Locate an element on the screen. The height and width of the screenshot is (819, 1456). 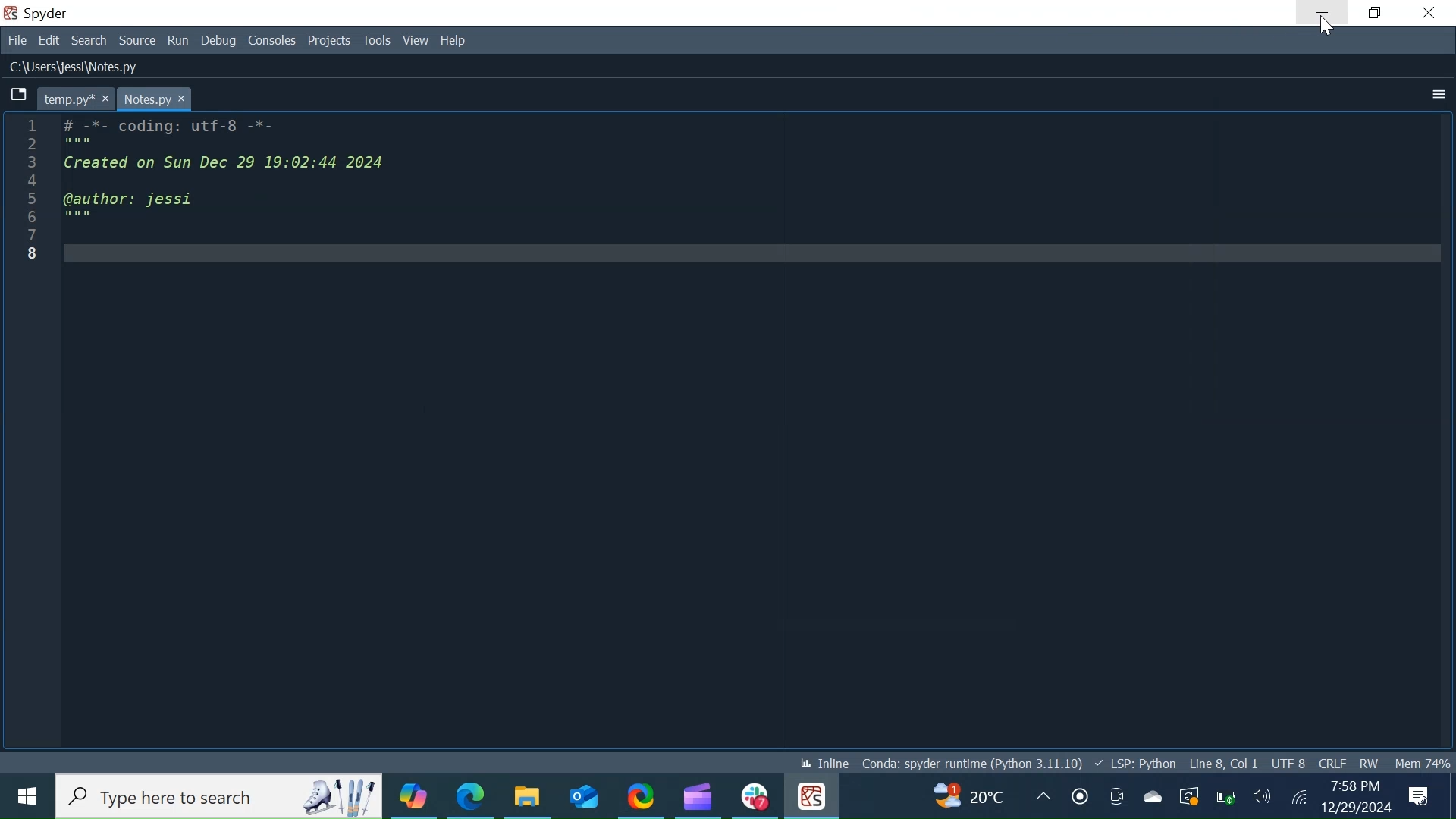
Spyder is located at coordinates (42, 13).